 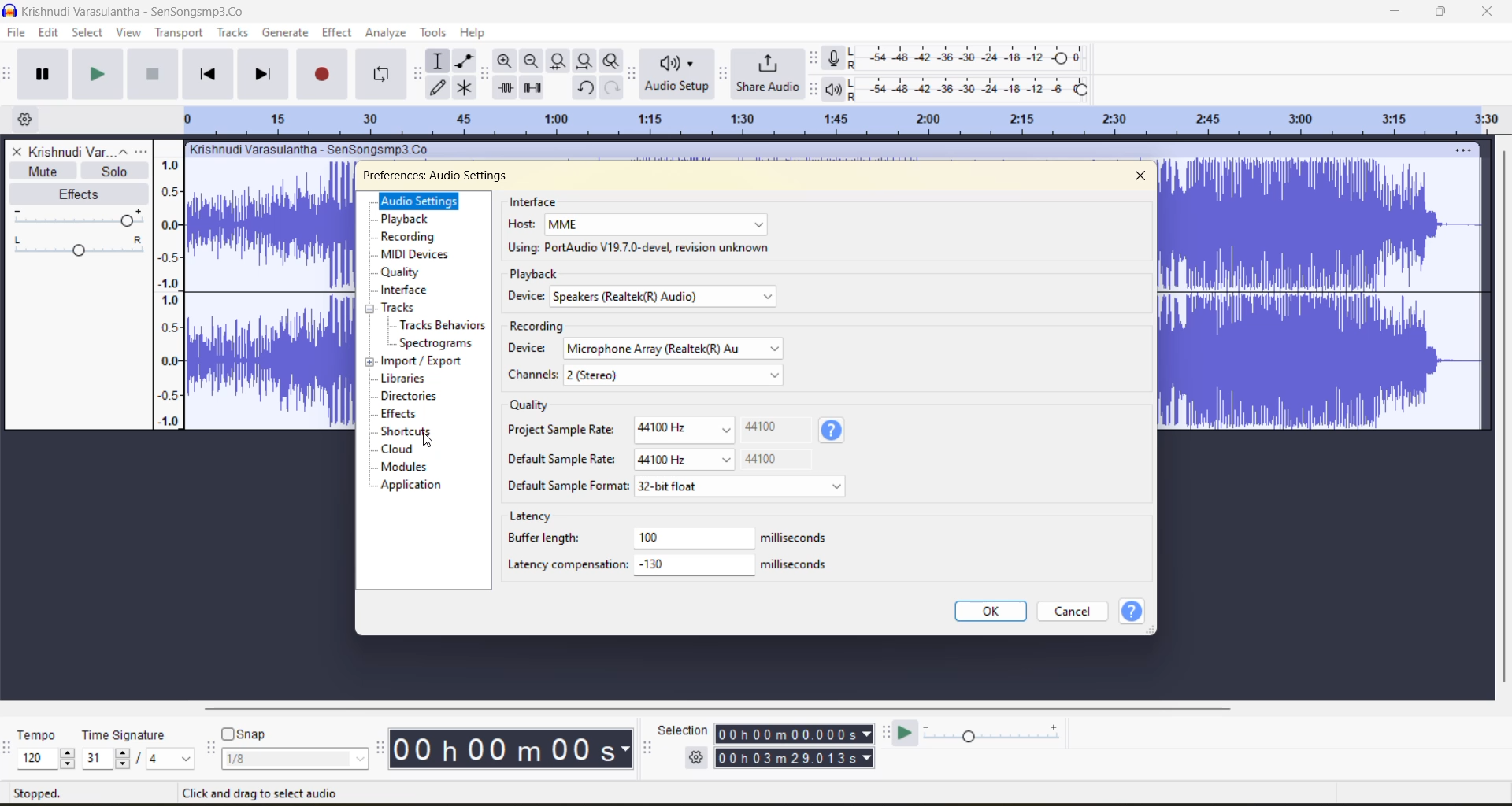 I want to click on quality, so click(x=532, y=407).